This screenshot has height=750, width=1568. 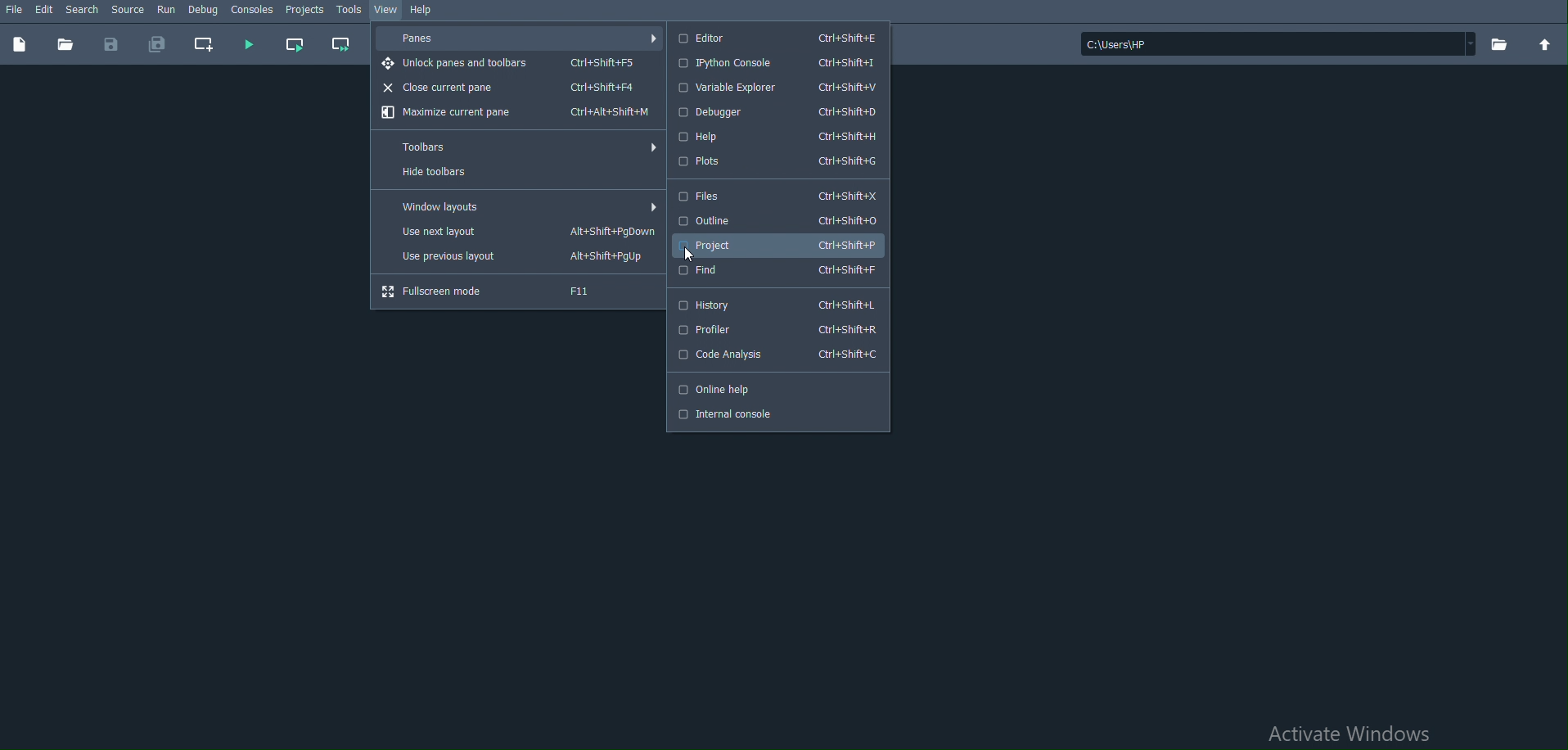 What do you see at coordinates (516, 63) in the screenshot?
I see `Unlock panes and toolbars` at bounding box center [516, 63].